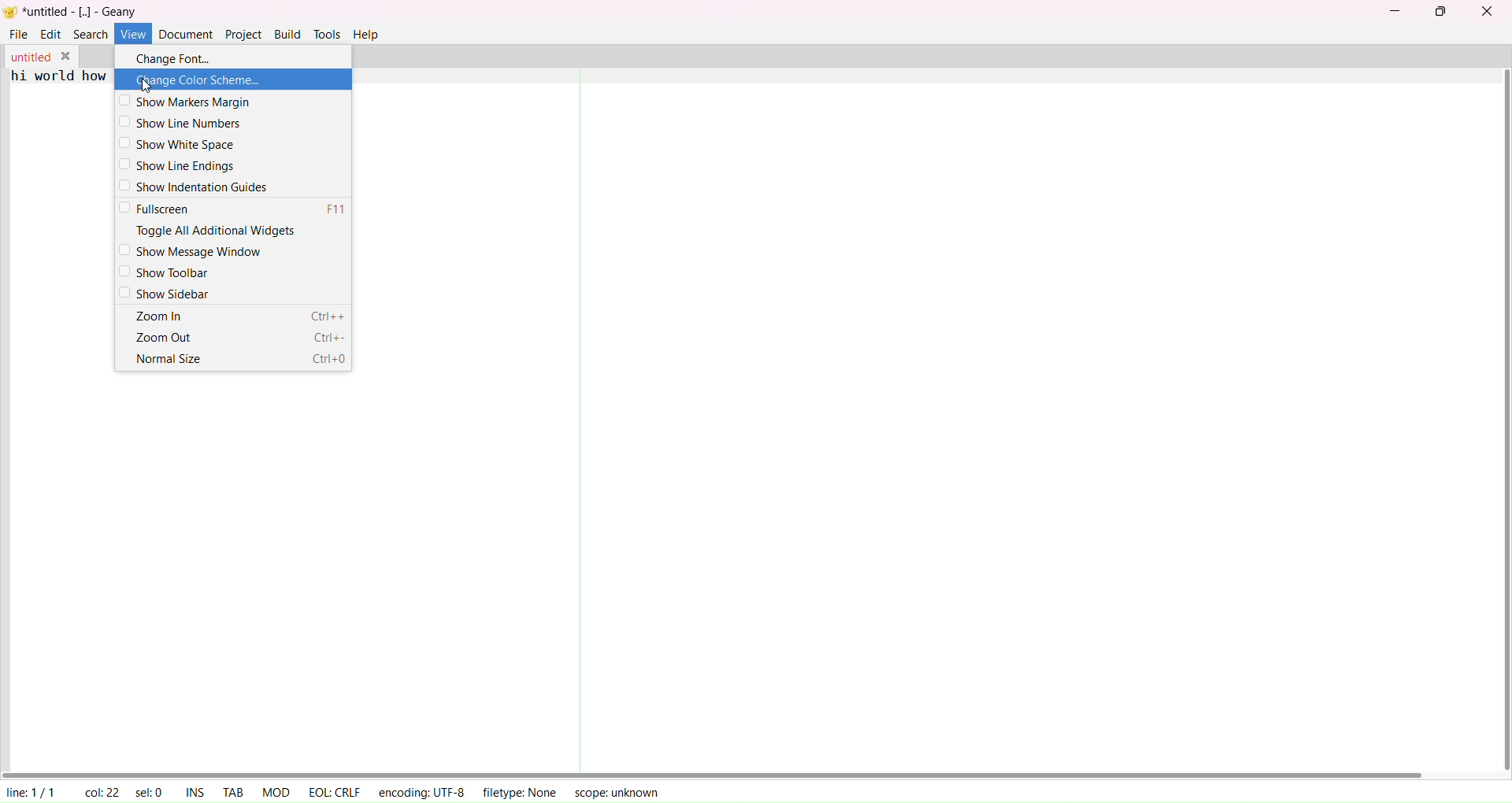 The image size is (1512, 803). Describe the element at coordinates (612, 791) in the screenshot. I see `scope:unknown` at that location.